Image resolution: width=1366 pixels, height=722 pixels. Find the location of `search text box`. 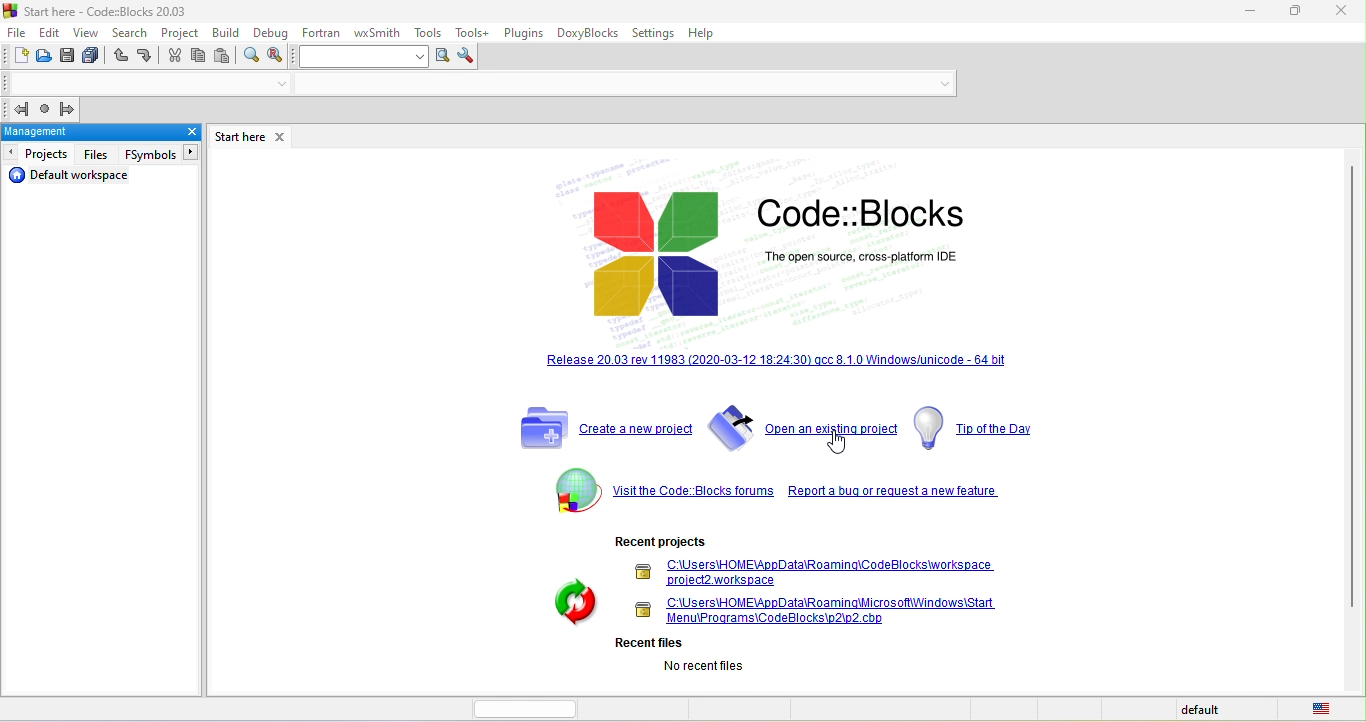

search text box is located at coordinates (365, 57).